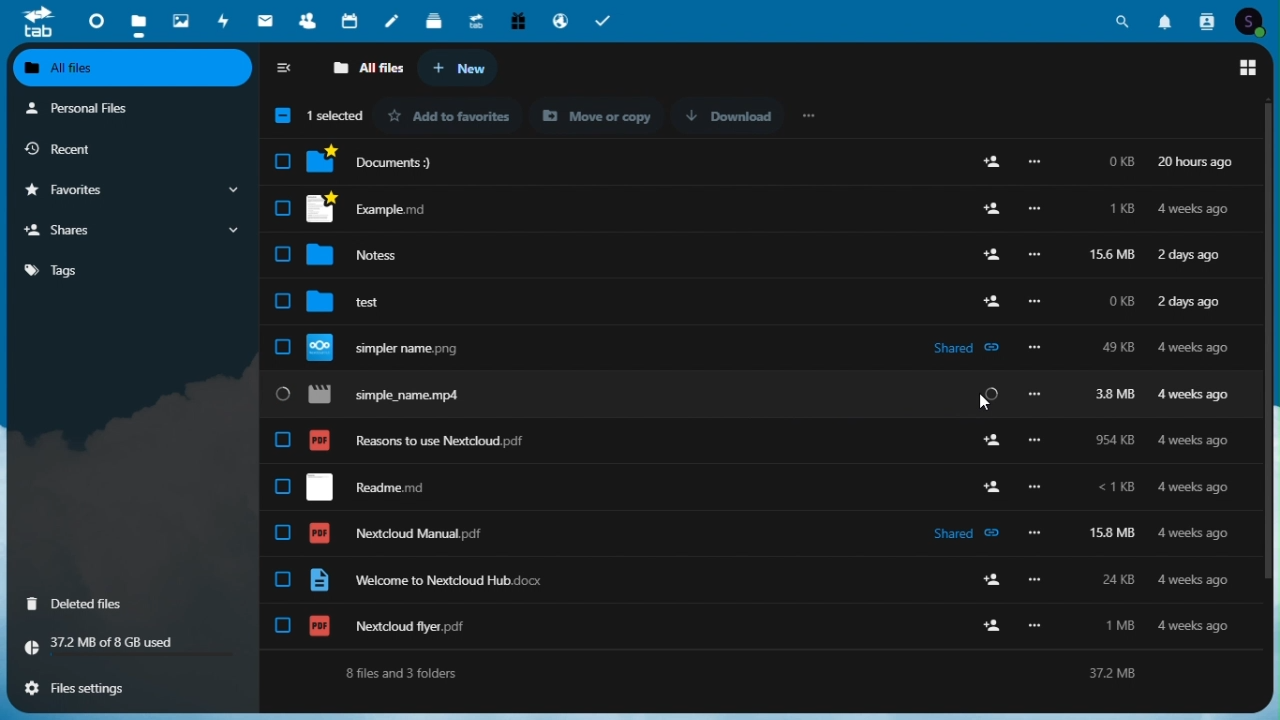  What do you see at coordinates (136, 21) in the screenshot?
I see `Files` at bounding box center [136, 21].